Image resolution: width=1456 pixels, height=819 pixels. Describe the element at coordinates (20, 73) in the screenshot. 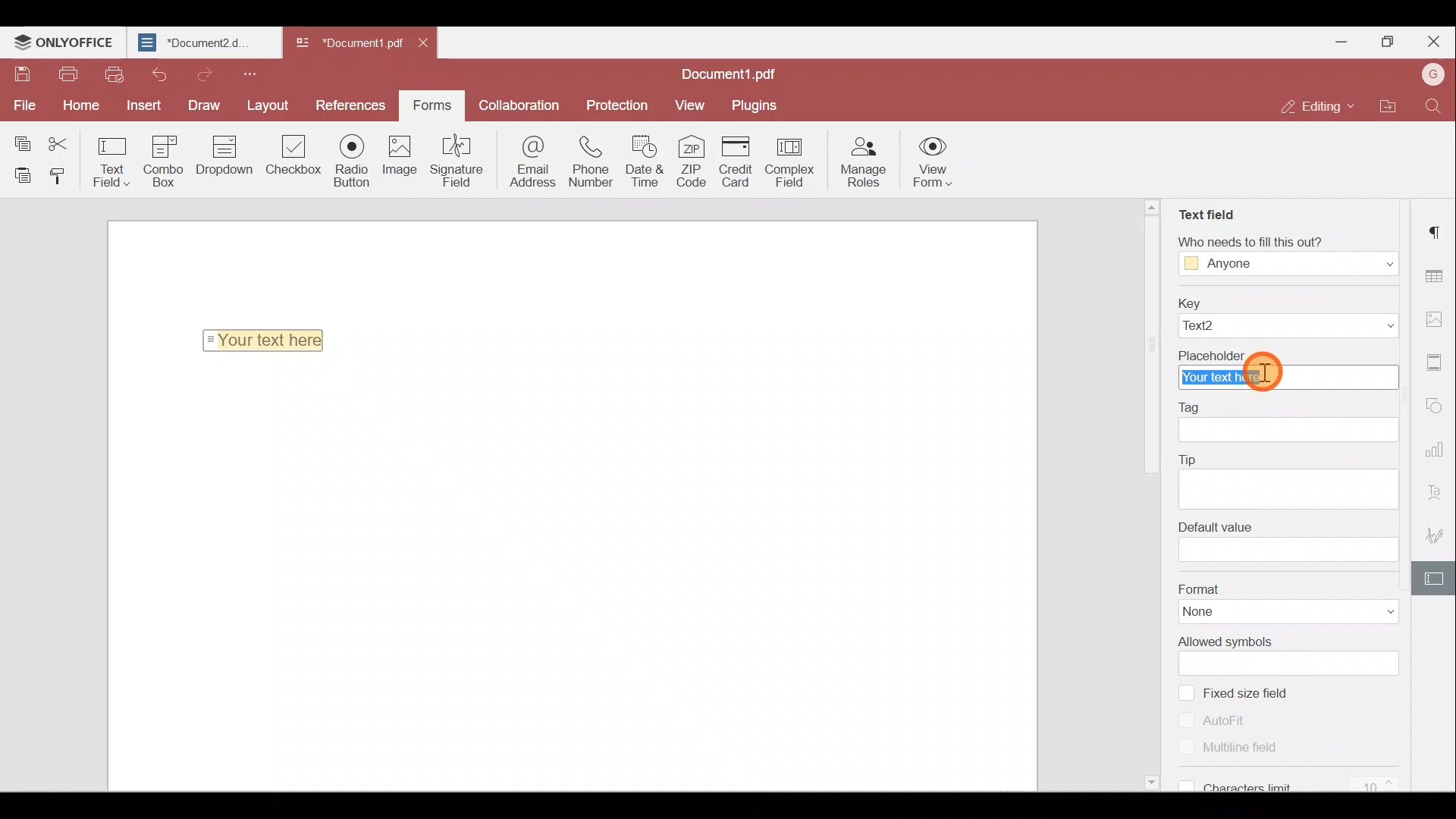

I see `Save` at that location.